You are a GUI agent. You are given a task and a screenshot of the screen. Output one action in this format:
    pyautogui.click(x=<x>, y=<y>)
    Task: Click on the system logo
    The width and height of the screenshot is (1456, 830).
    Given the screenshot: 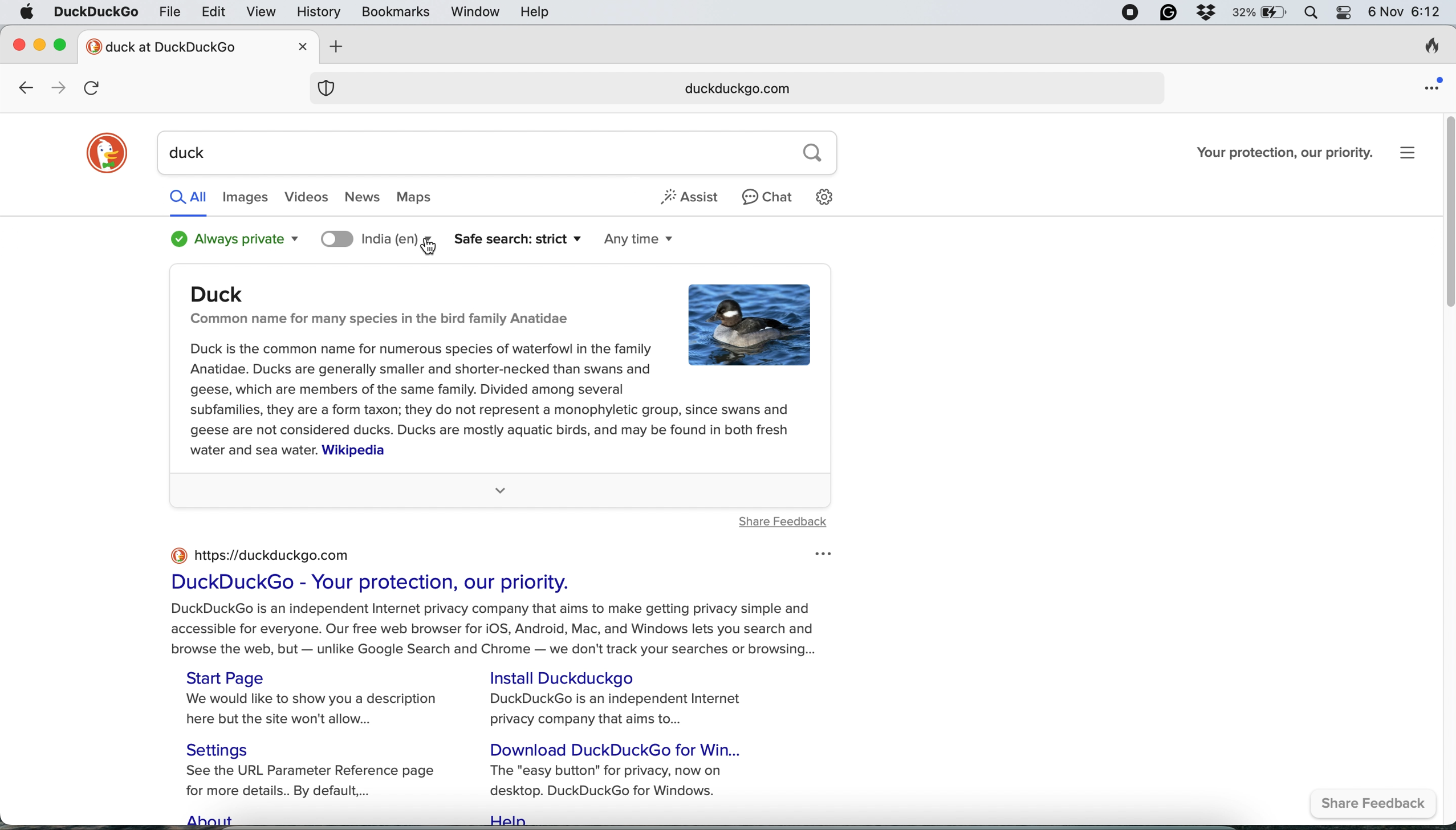 What is the action you would take?
    pyautogui.click(x=26, y=13)
    